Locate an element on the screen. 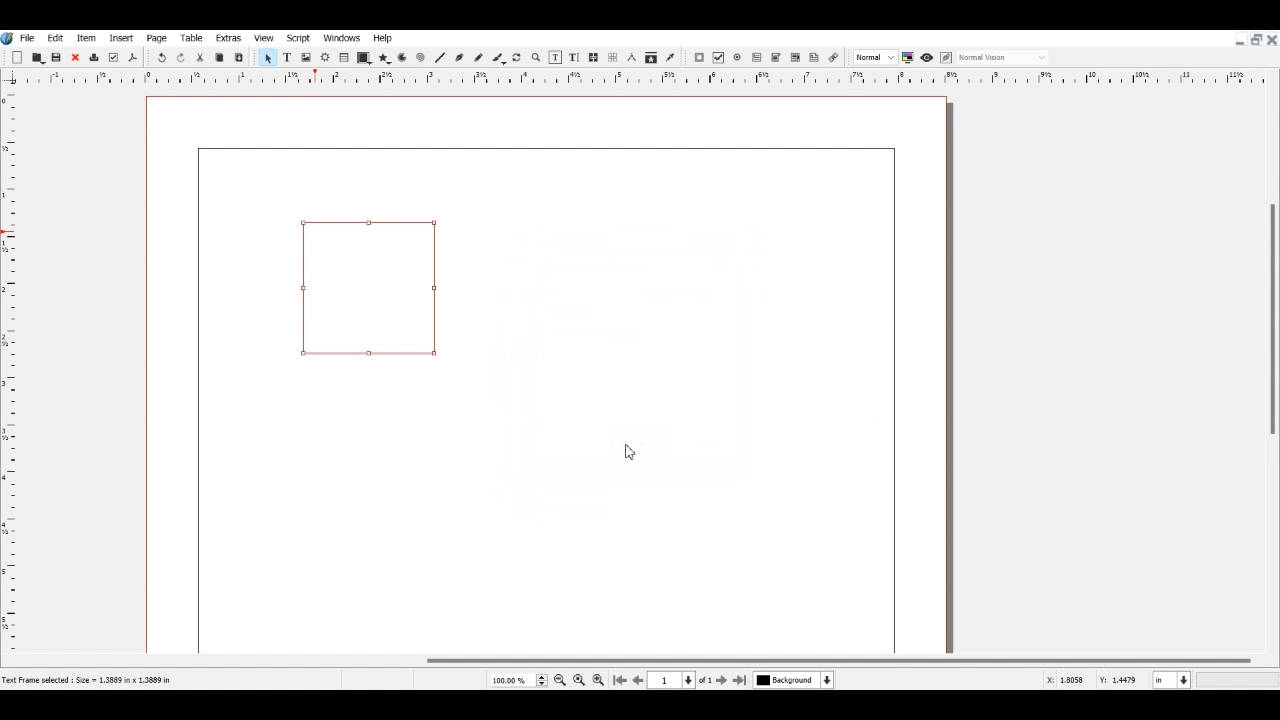 The image size is (1280, 720). Go to Last Page is located at coordinates (742, 681).